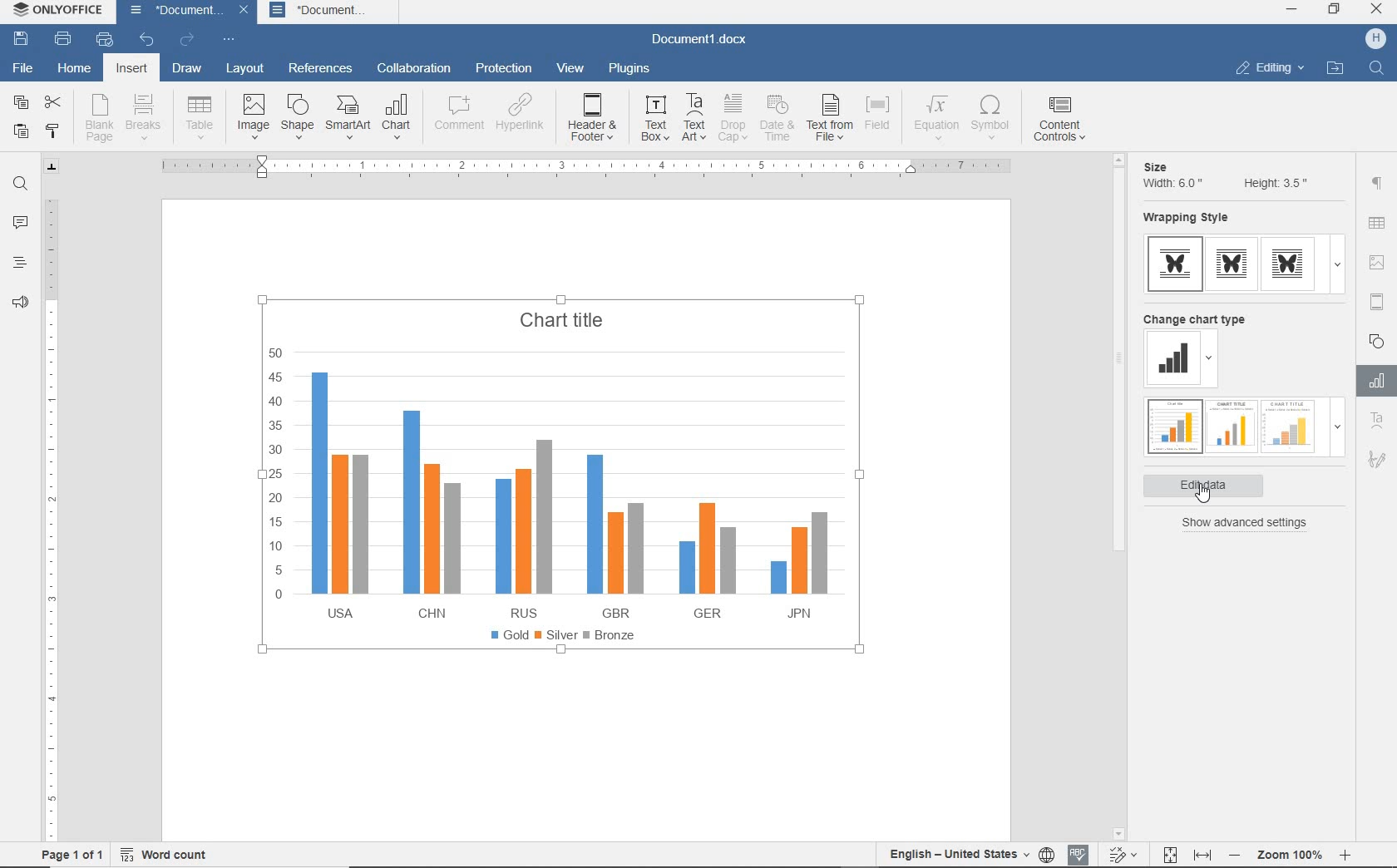 This screenshot has height=868, width=1397. What do you see at coordinates (254, 116) in the screenshot?
I see `image` at bounding box center [254, 116].